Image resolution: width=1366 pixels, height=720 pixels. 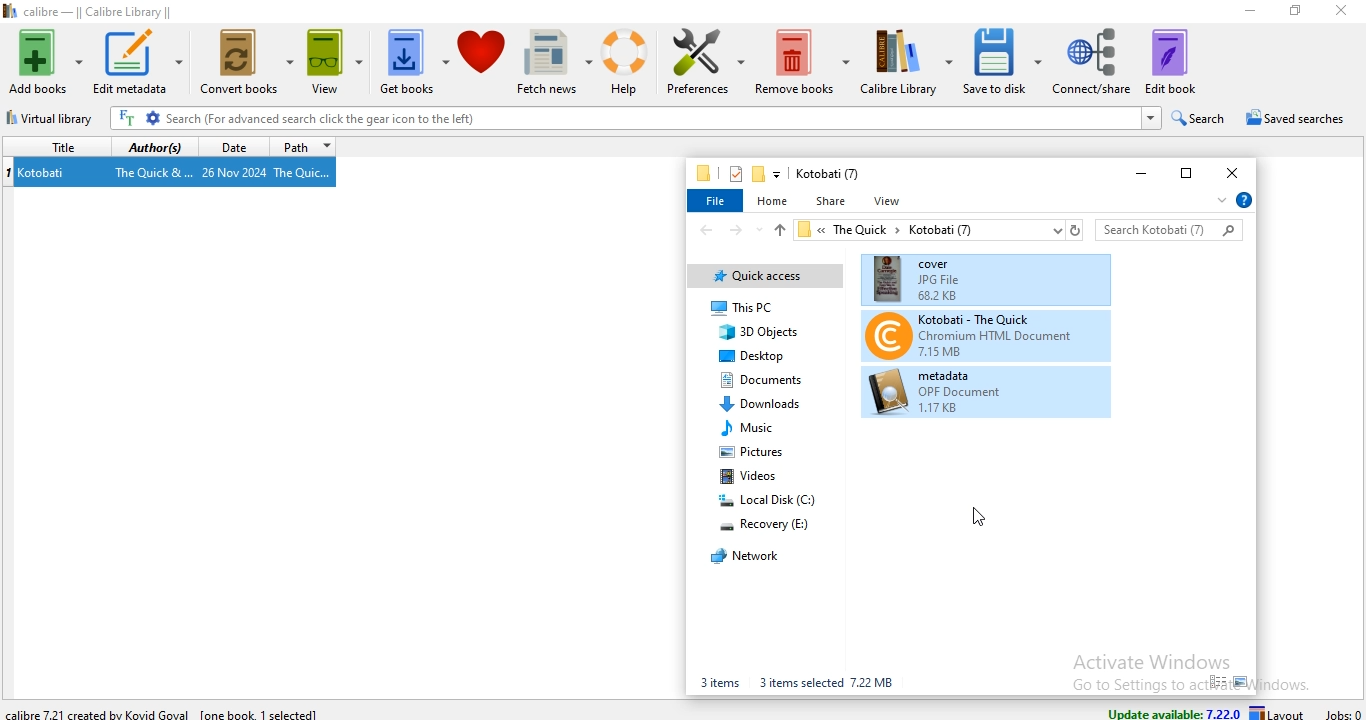 I want to click on index no, so click(x=9, y=172).